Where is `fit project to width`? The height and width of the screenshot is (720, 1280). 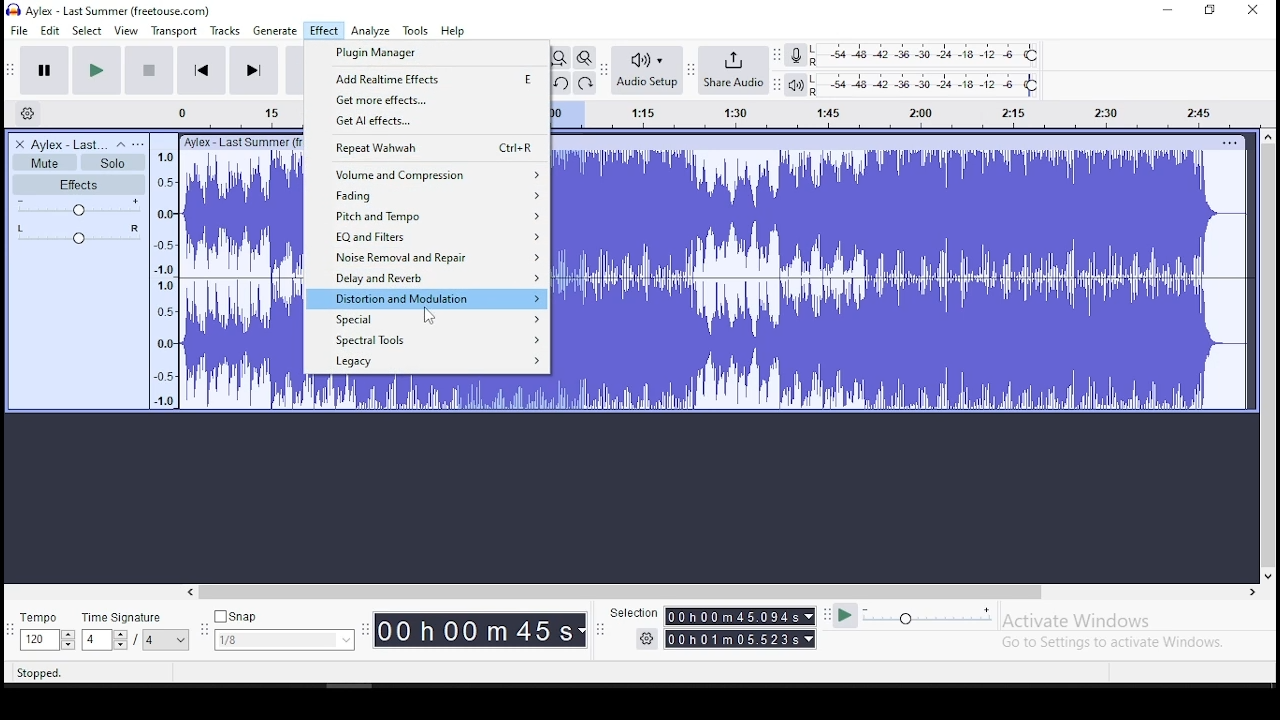 fit project to width is located at coordinates (557, 57).